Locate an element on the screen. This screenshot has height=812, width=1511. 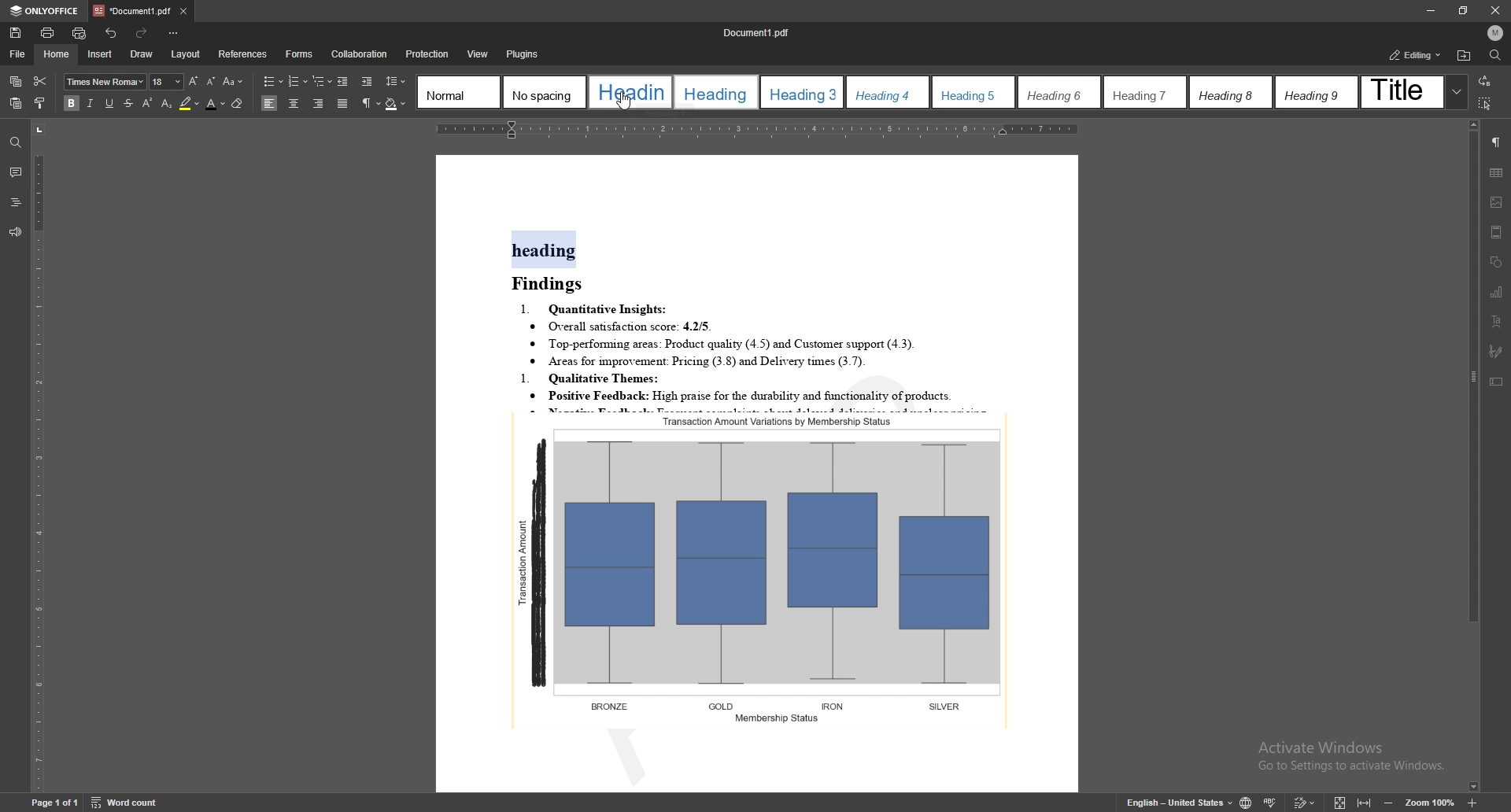
heading is located at coordinates (16, 203).